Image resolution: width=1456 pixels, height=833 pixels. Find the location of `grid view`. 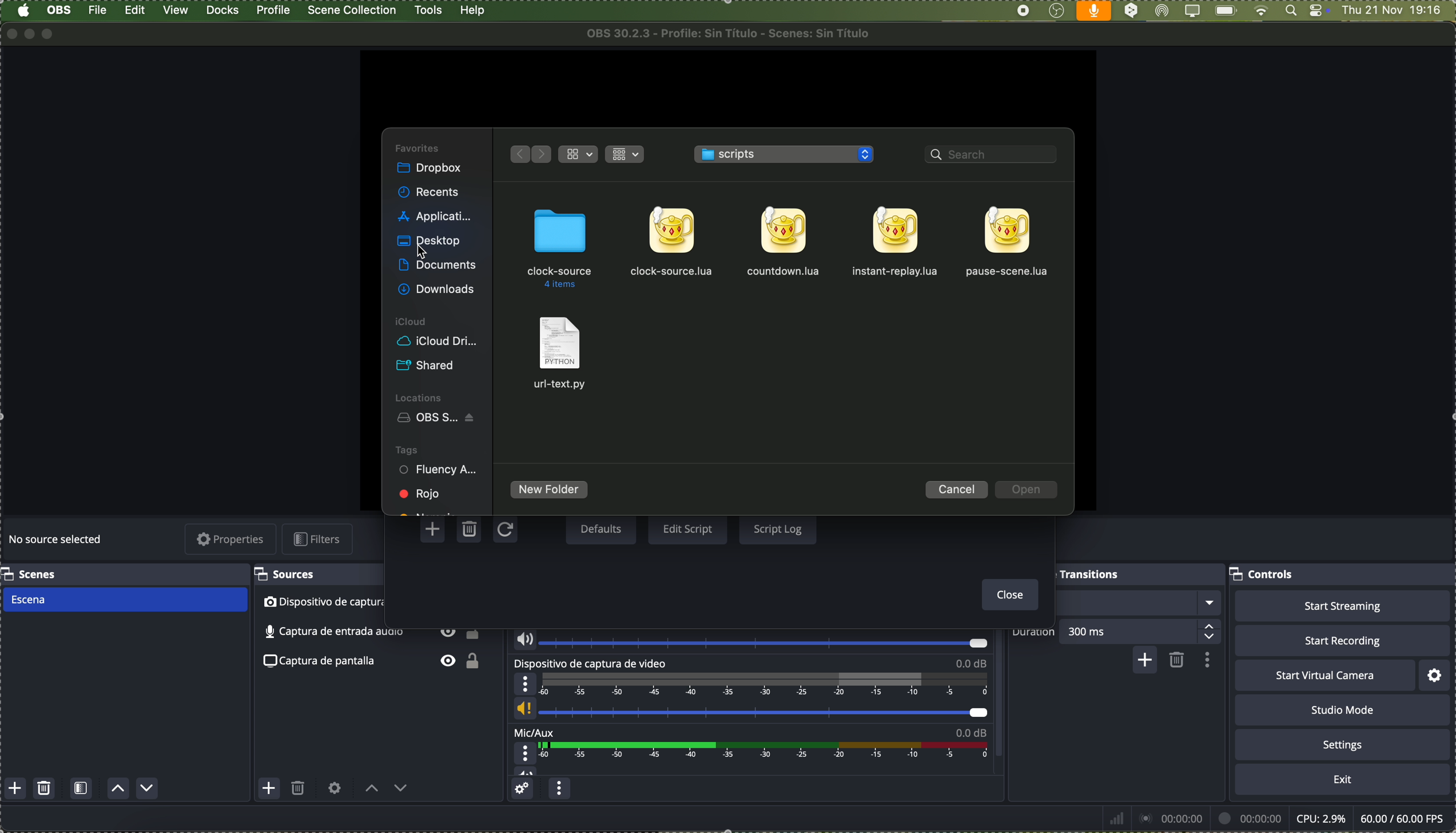

grid view is located at coordinates (579, 154).